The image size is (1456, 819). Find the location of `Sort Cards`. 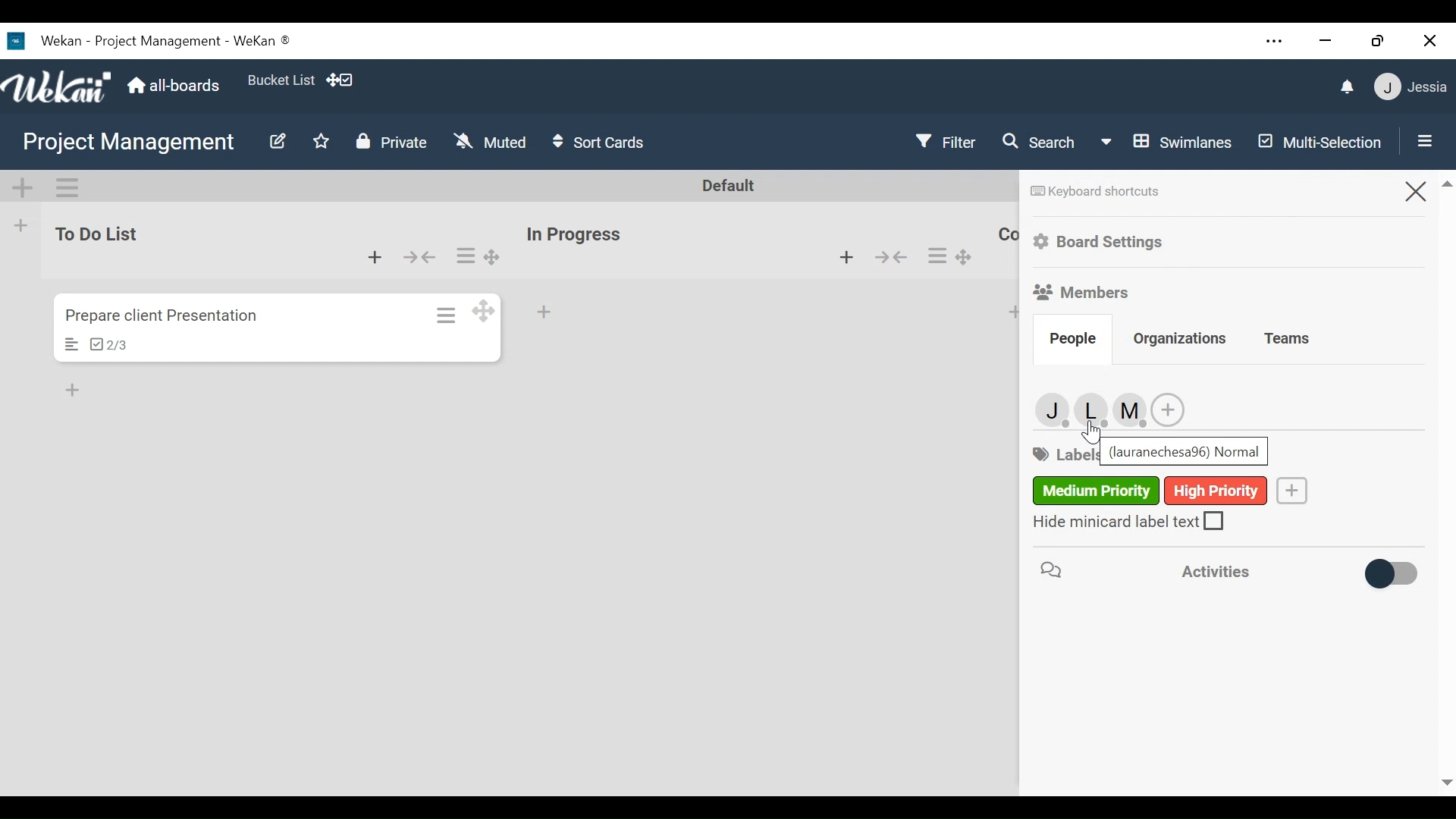

Sort Cards is located at coordinates (599, 141).